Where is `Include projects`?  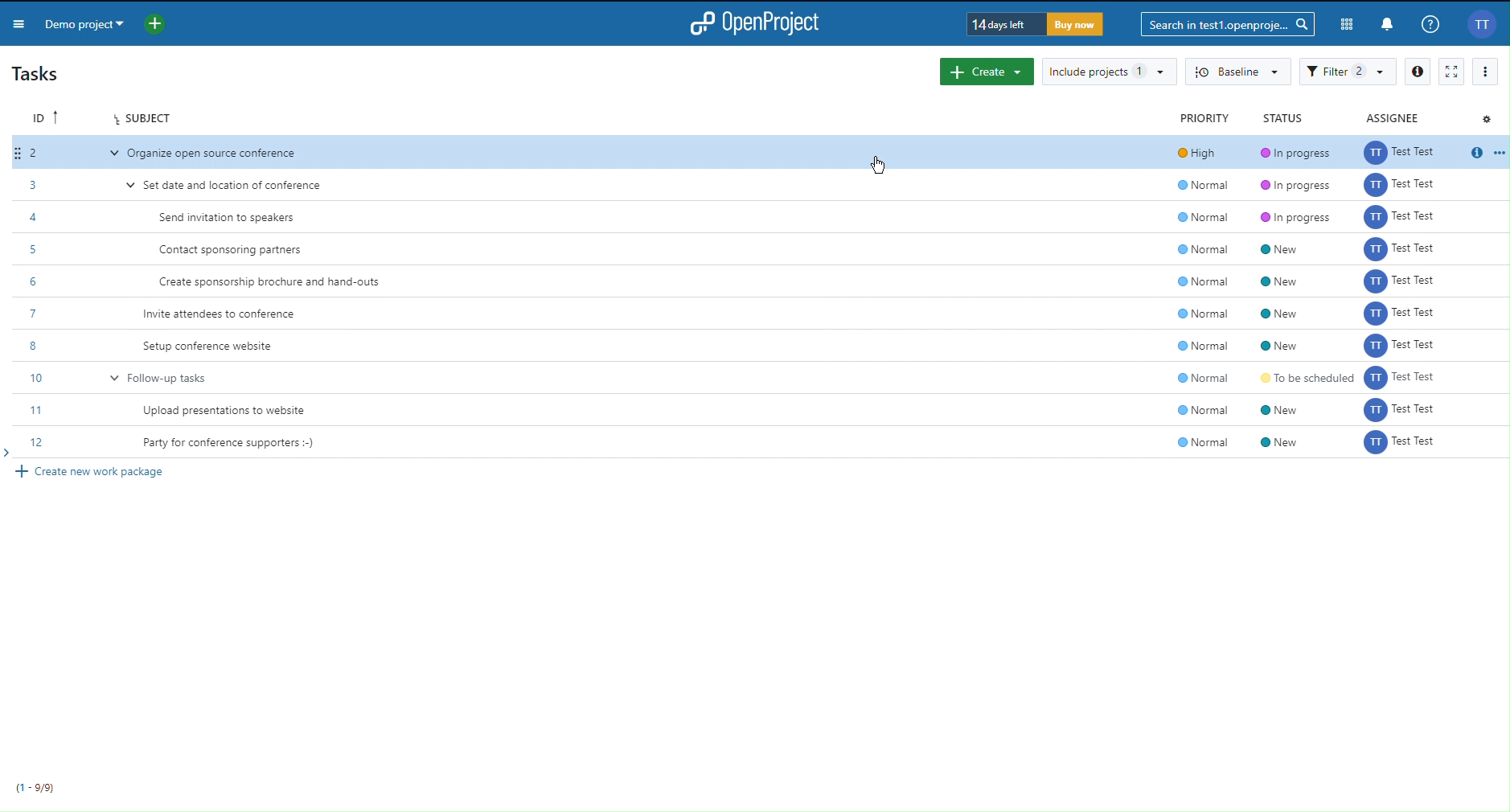
Include projects is located at coordinates (1106, 68).